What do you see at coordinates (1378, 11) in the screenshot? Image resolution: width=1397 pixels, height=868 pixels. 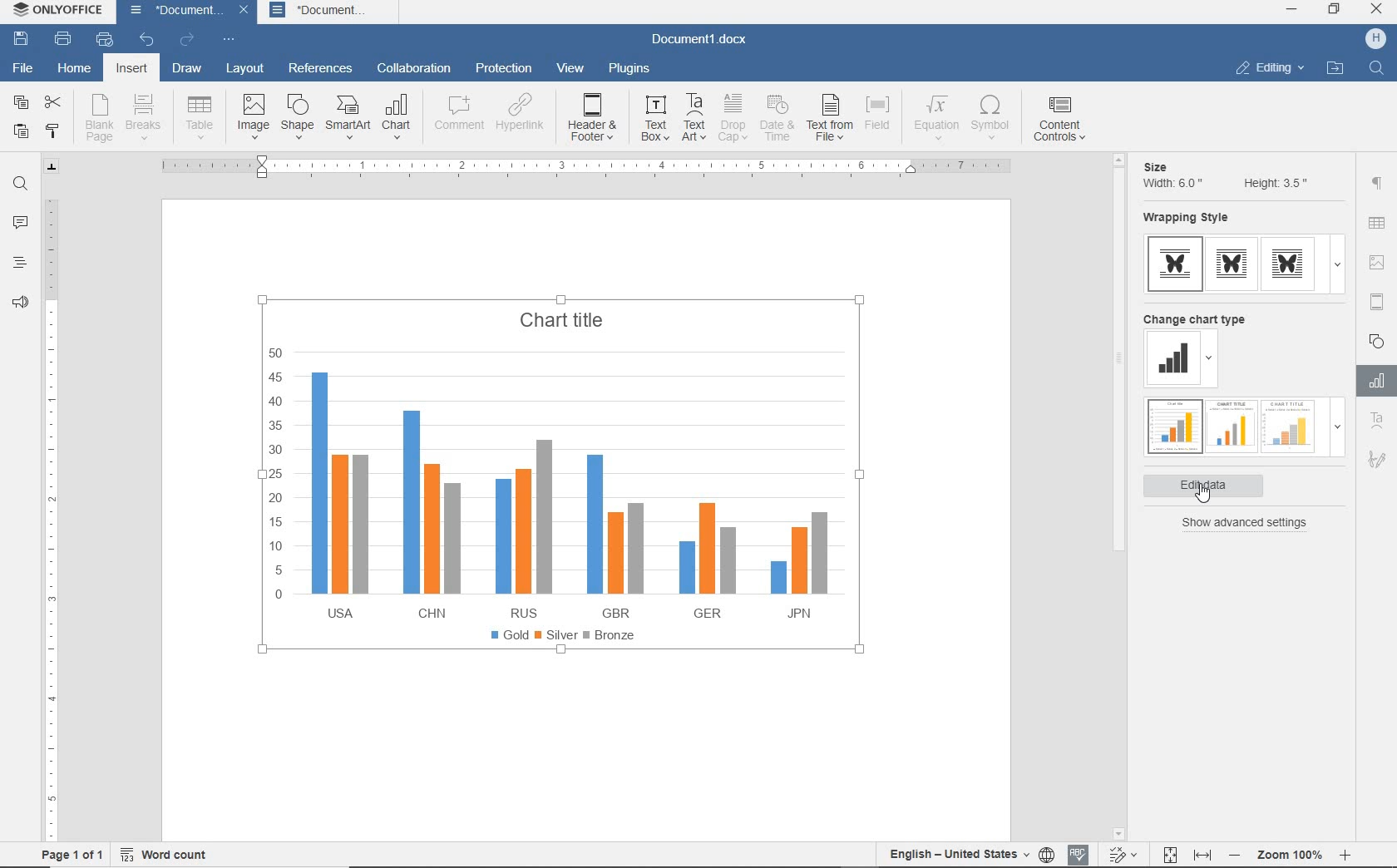 I see `close` at bounding box center [1378, 11].